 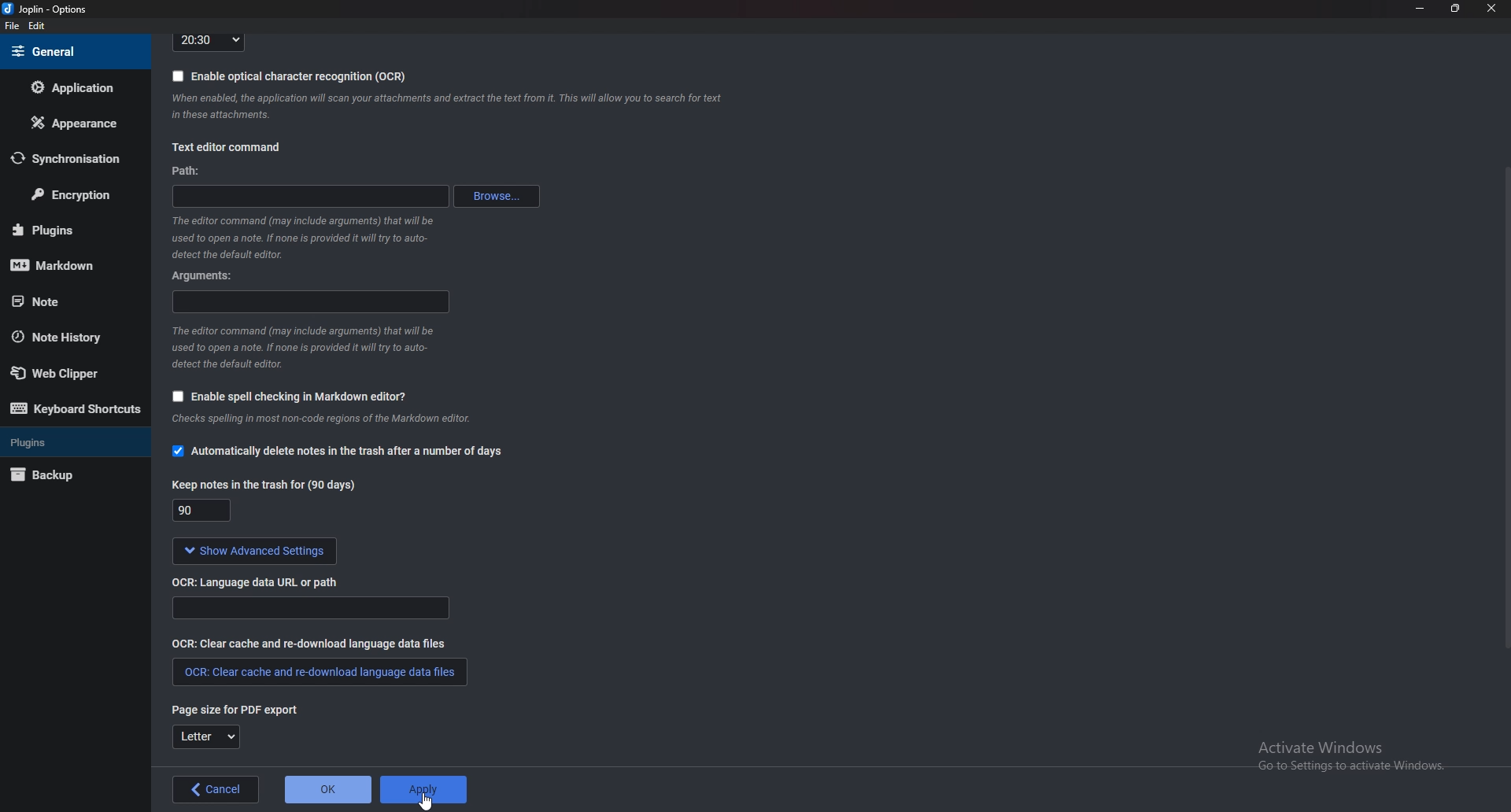 What do you see at coordinates (337, 453) in the screenshot?
I see `Automatically delete notes` at bounding box center [337, 453].